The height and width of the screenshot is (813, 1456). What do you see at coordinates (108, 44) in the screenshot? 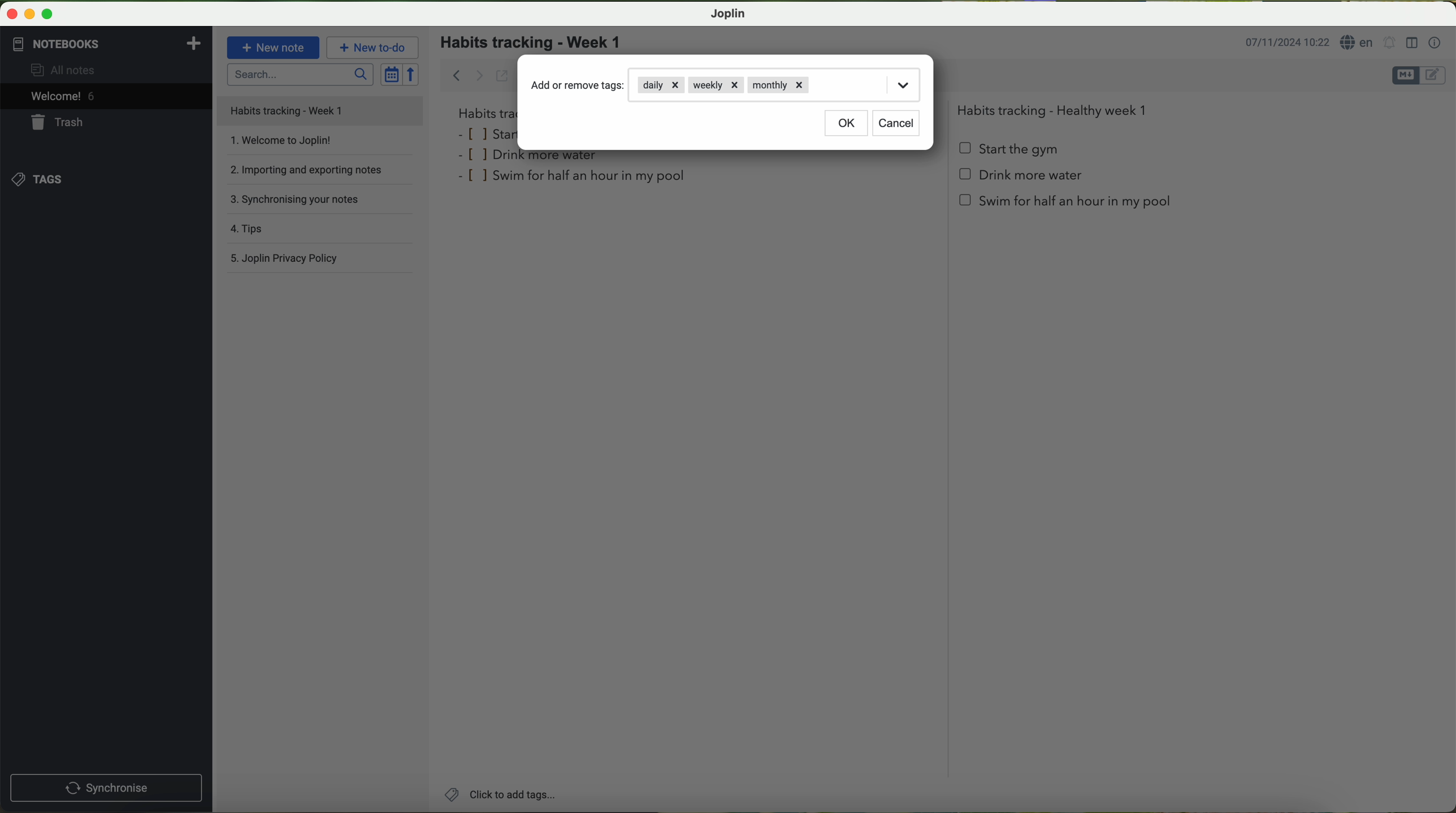
I see `notebooks tab` at bounding box center [108, 44].